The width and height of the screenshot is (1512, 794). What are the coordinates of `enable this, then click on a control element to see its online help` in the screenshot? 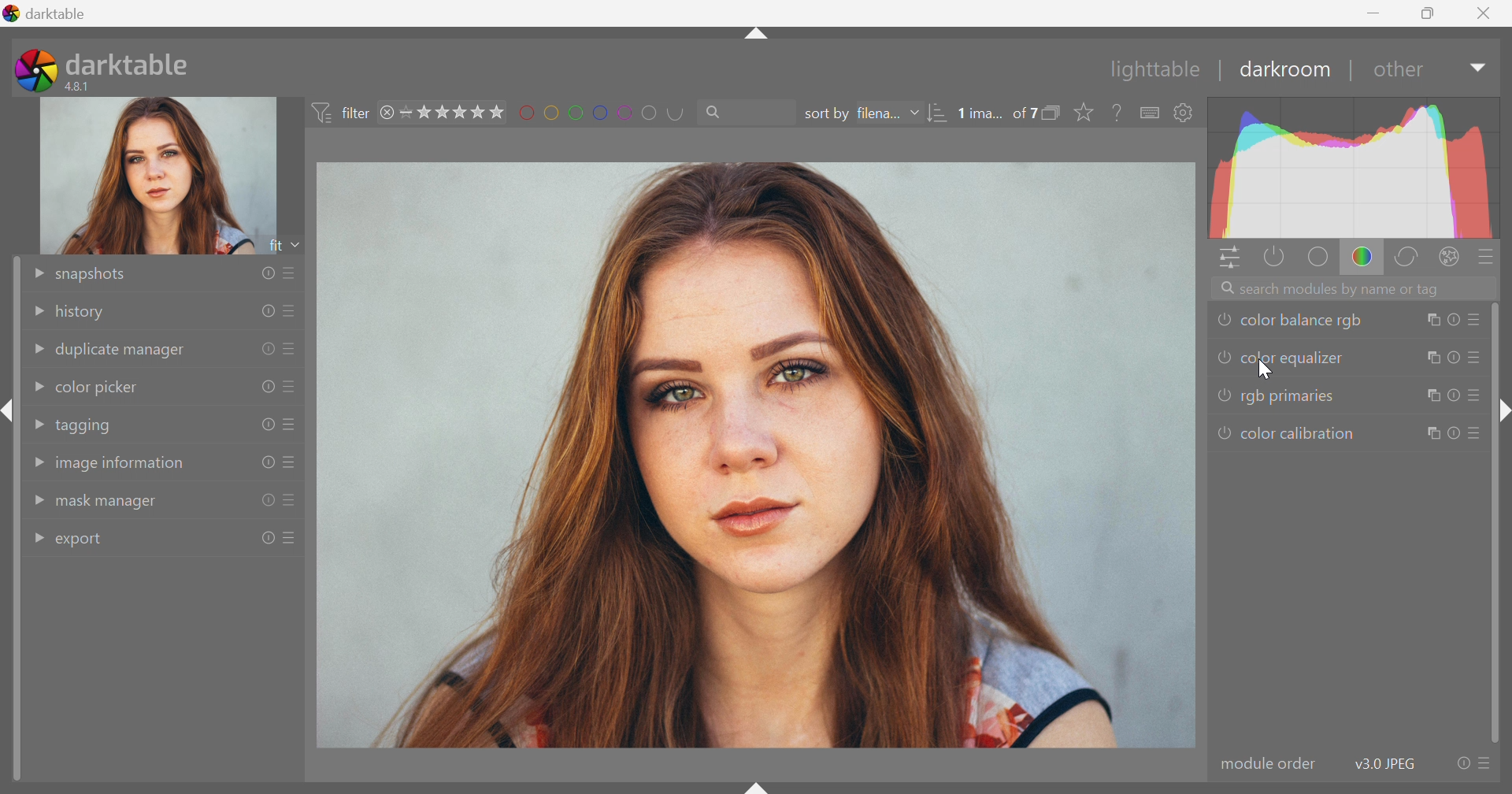 It's located at (1118, 112).